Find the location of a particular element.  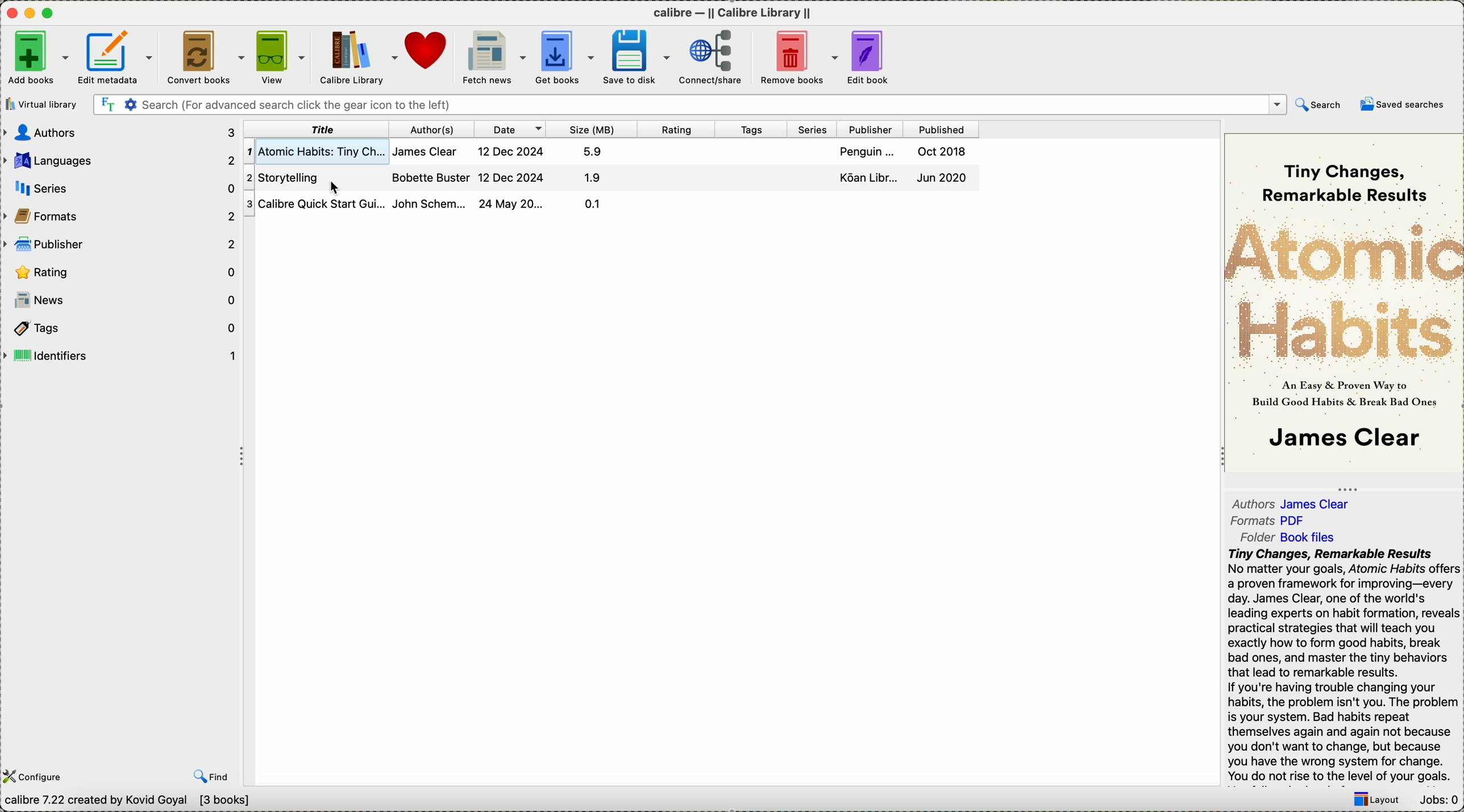

calibre quick start guide is located at coordinates (441, 203).